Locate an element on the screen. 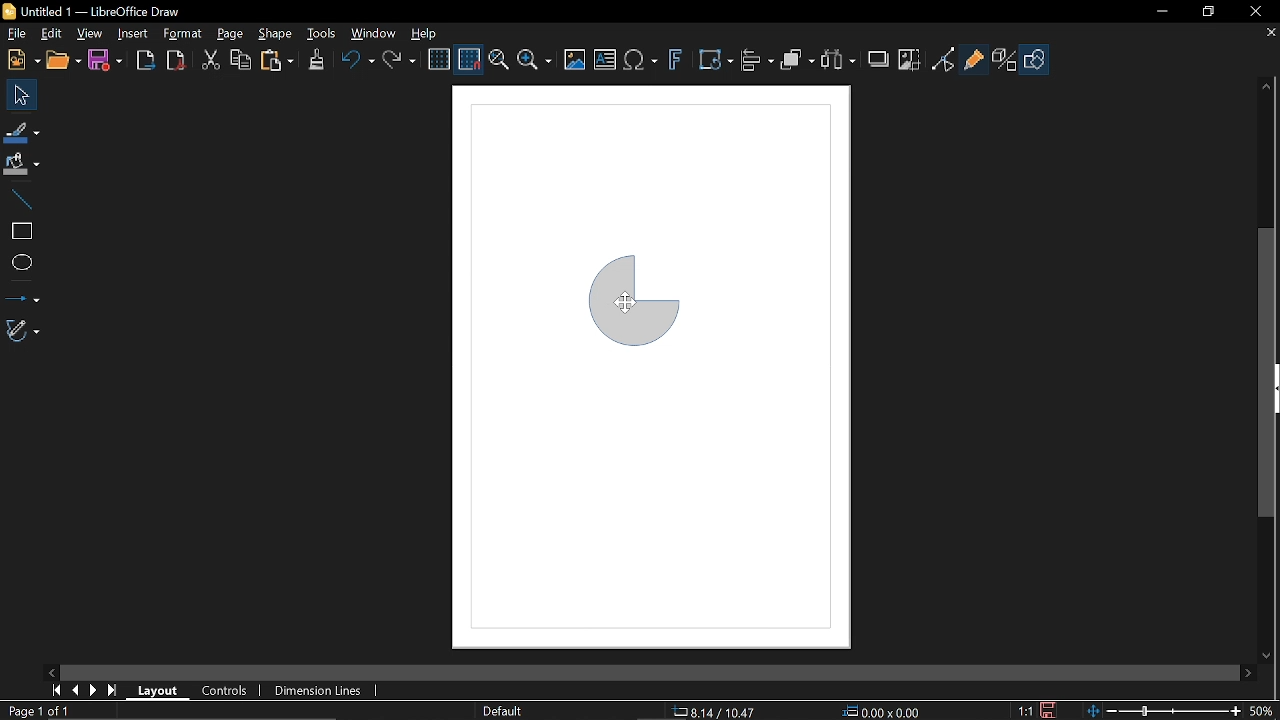  Insert is located at coordinates (134, 35).